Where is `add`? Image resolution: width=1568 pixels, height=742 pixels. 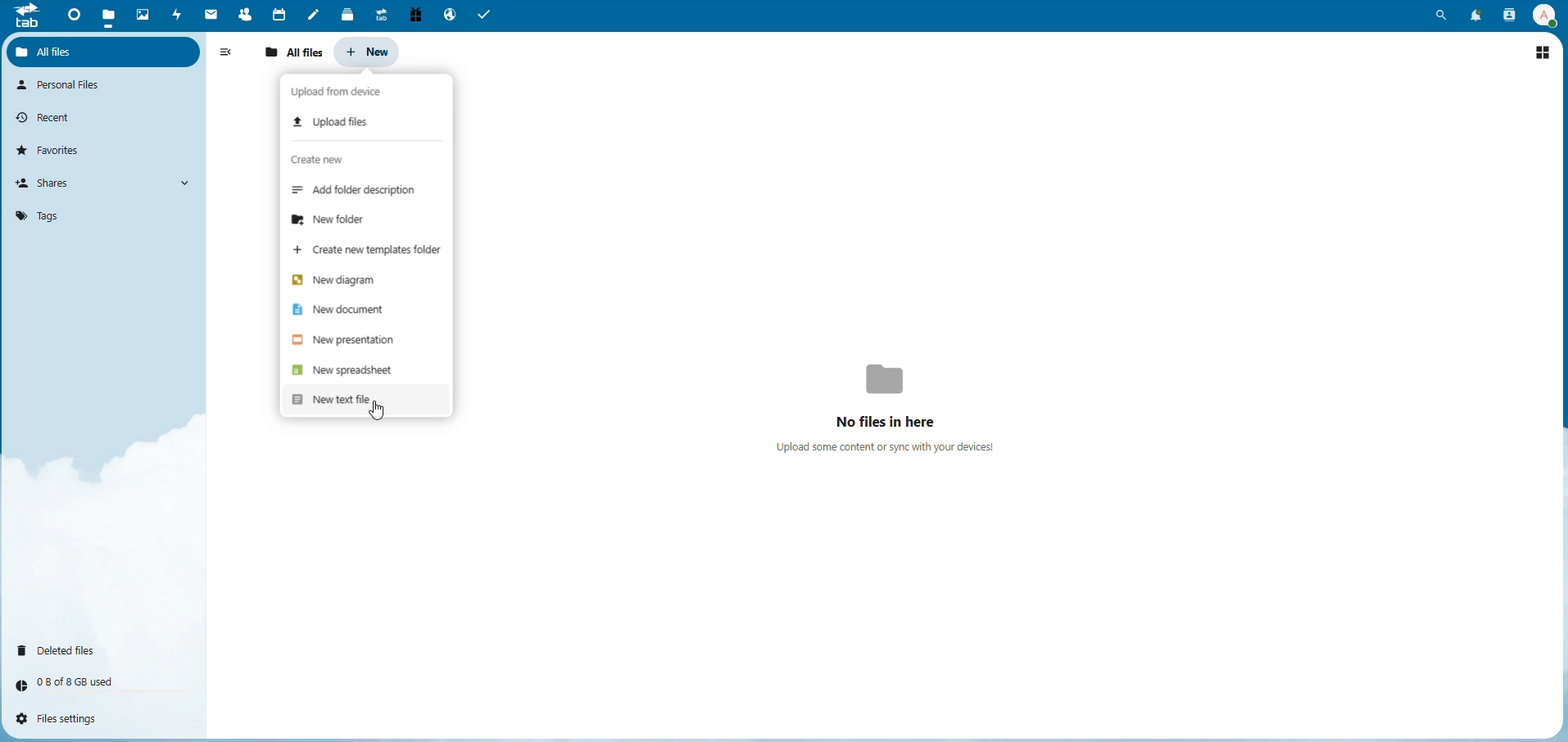
add is located at coordinates (365, 192).